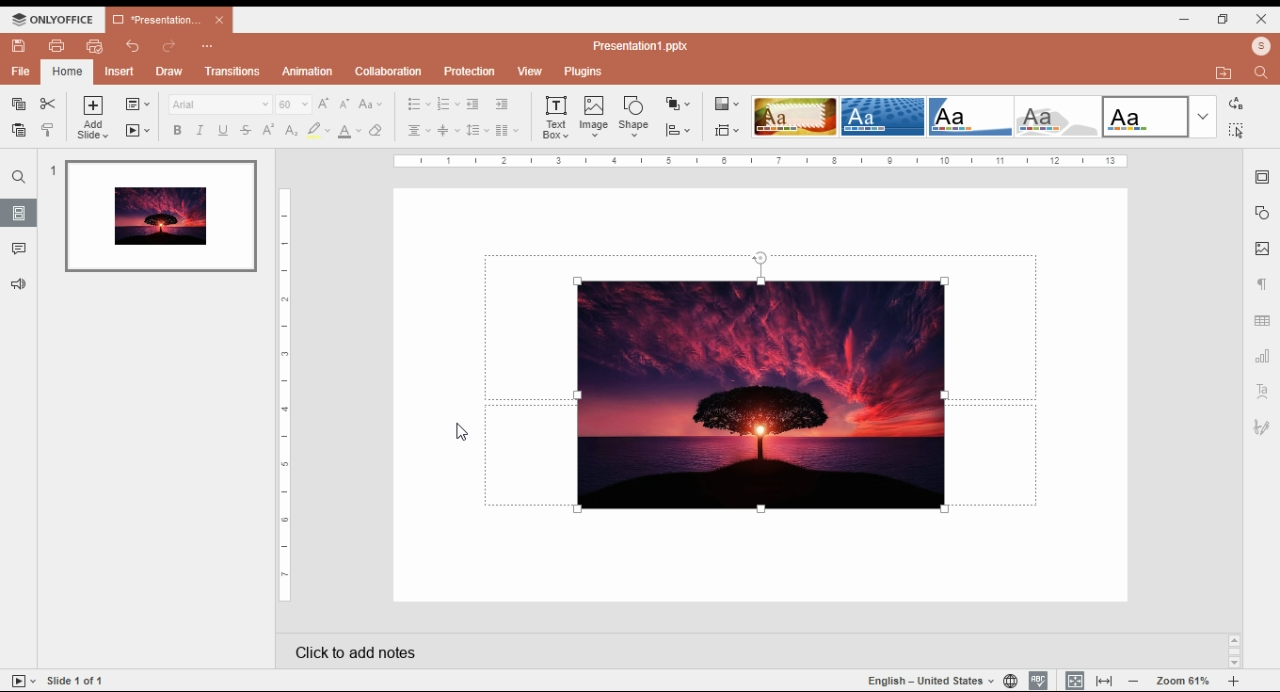  I want to click on copy, so click(18, 104).